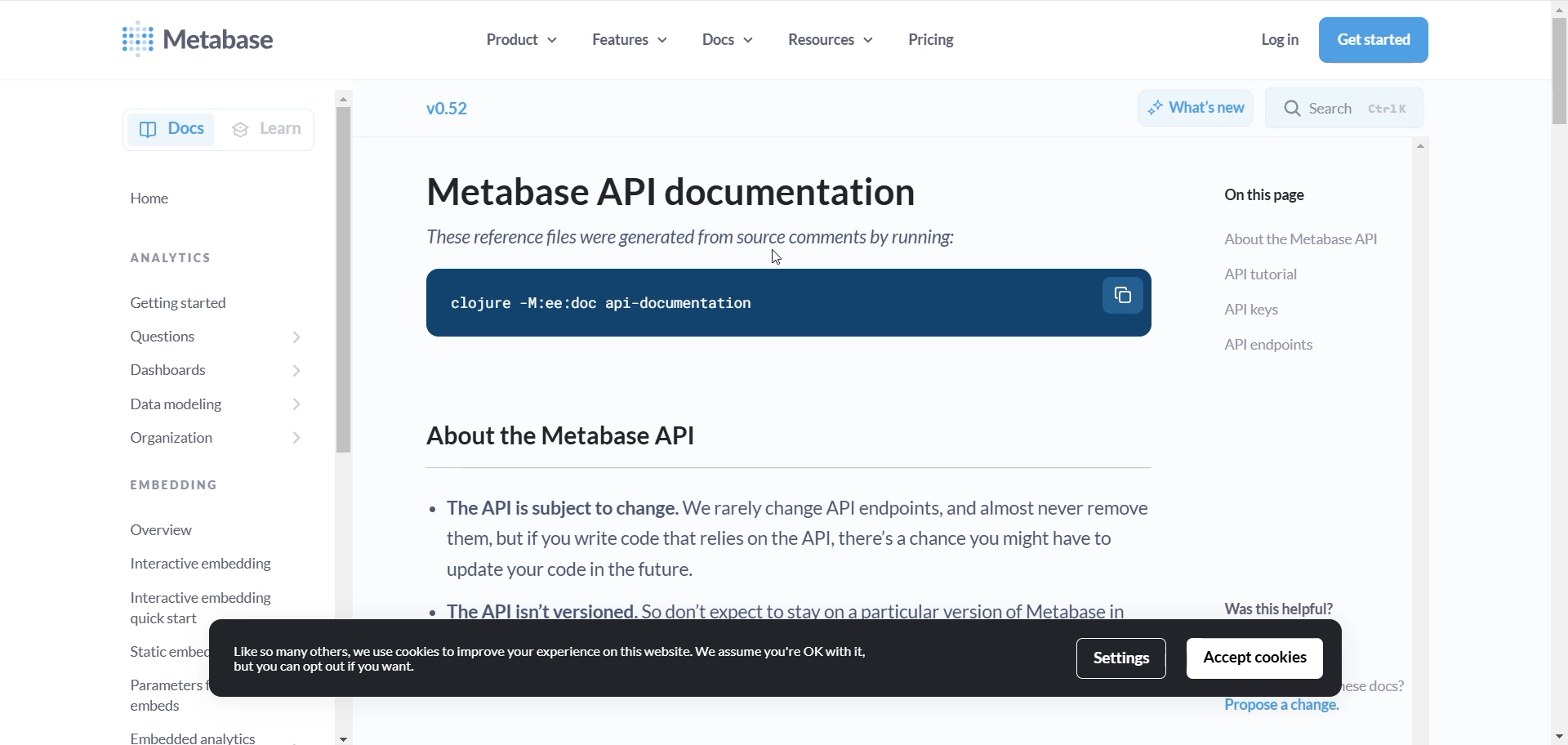  Describe the element at coordinates (795, 513) in the screenshot. I see `text` at that location.